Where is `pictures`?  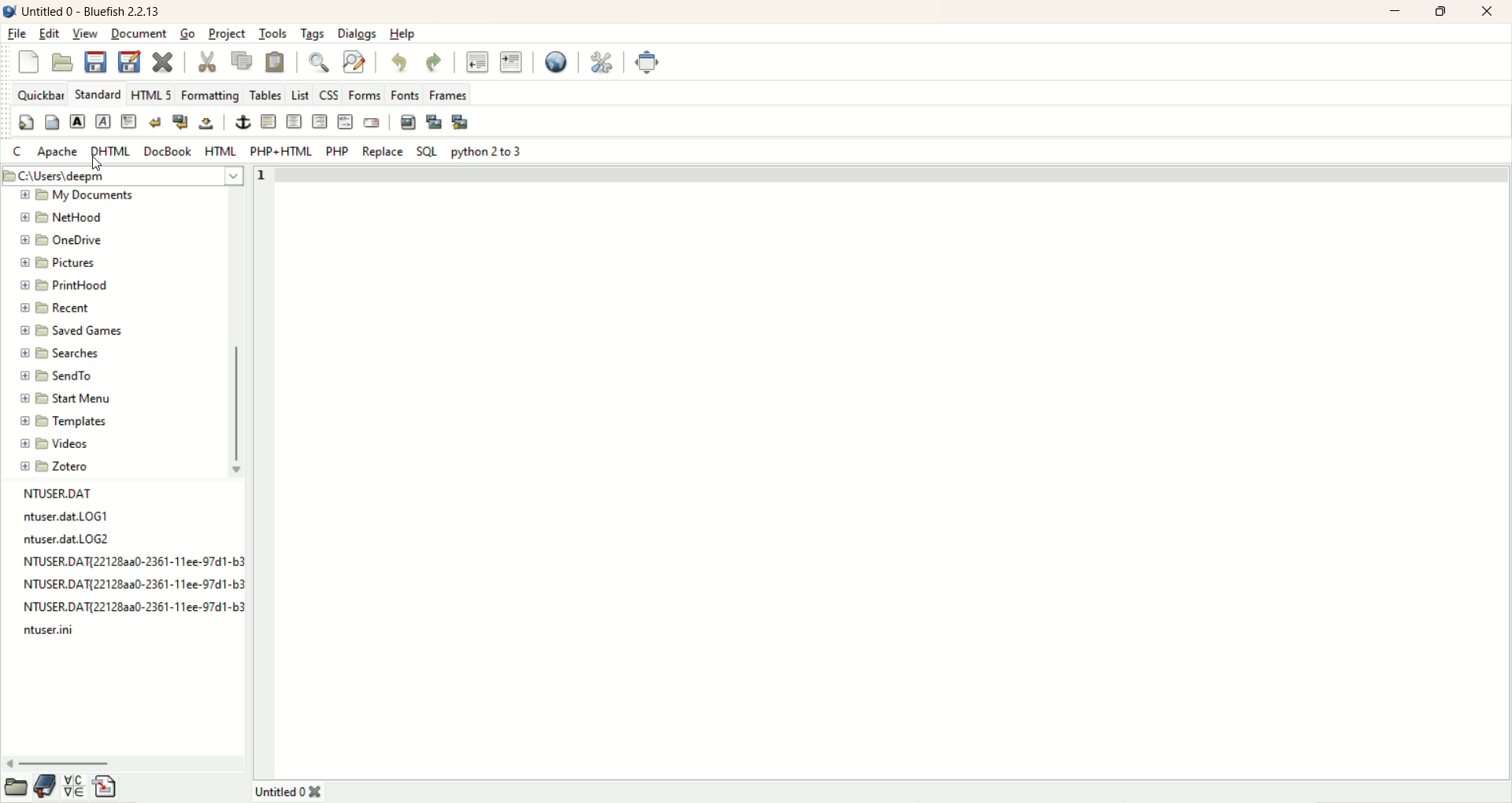
pictures is located at coordinates (60, 261).